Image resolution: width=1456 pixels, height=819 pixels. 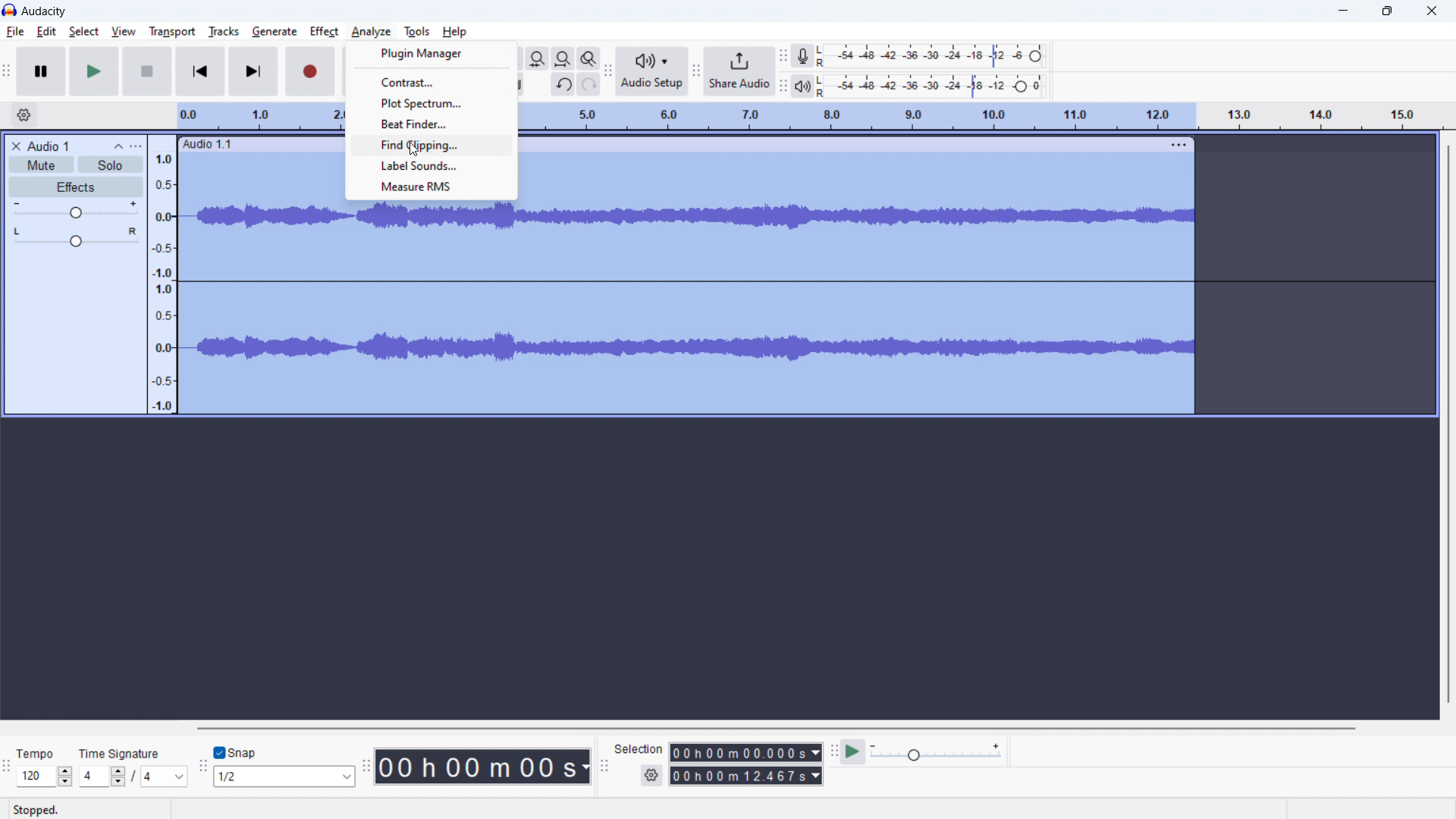 I want to click on solo, so click(x=110, y=165).